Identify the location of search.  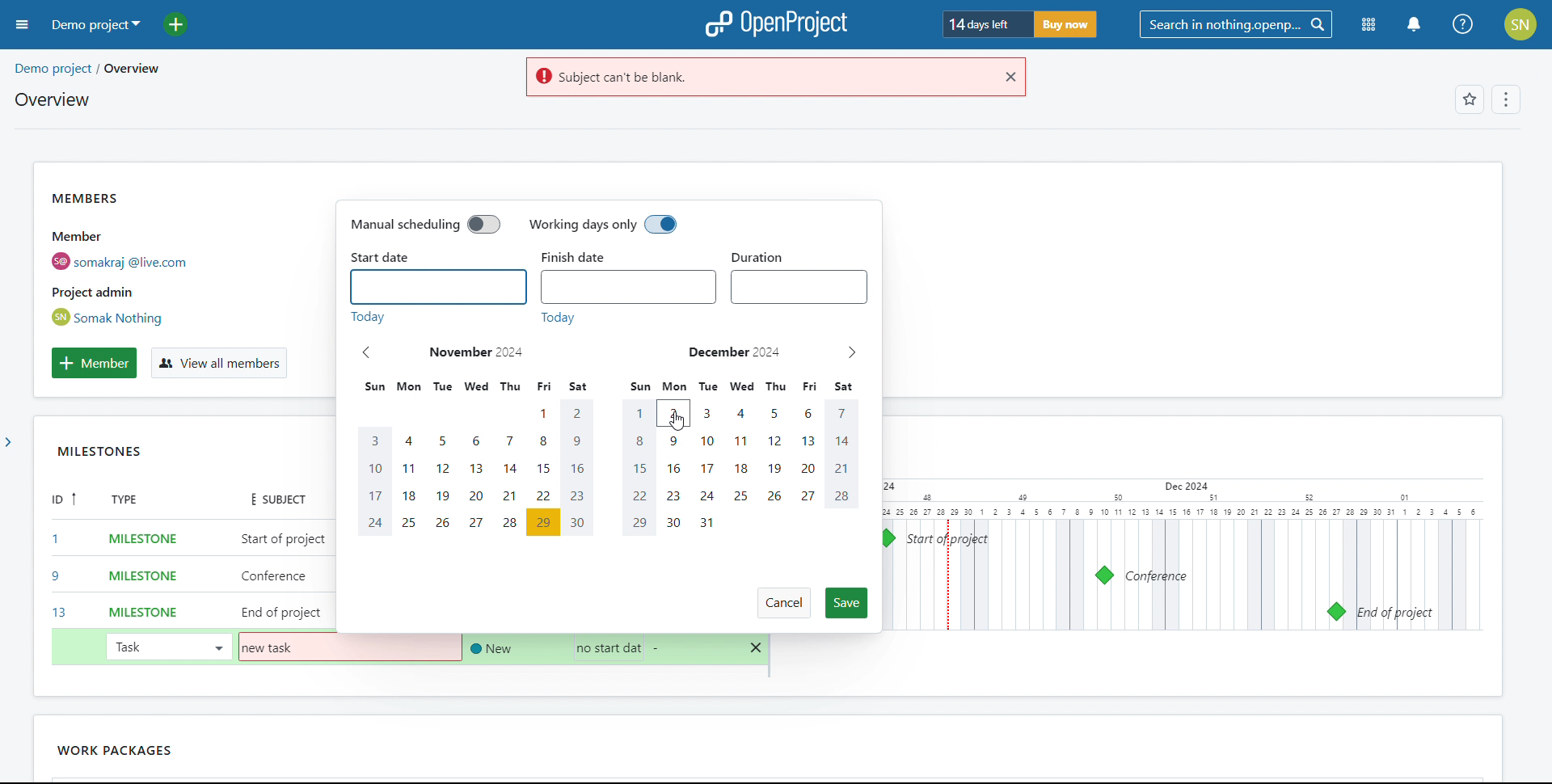
(1235, 25).